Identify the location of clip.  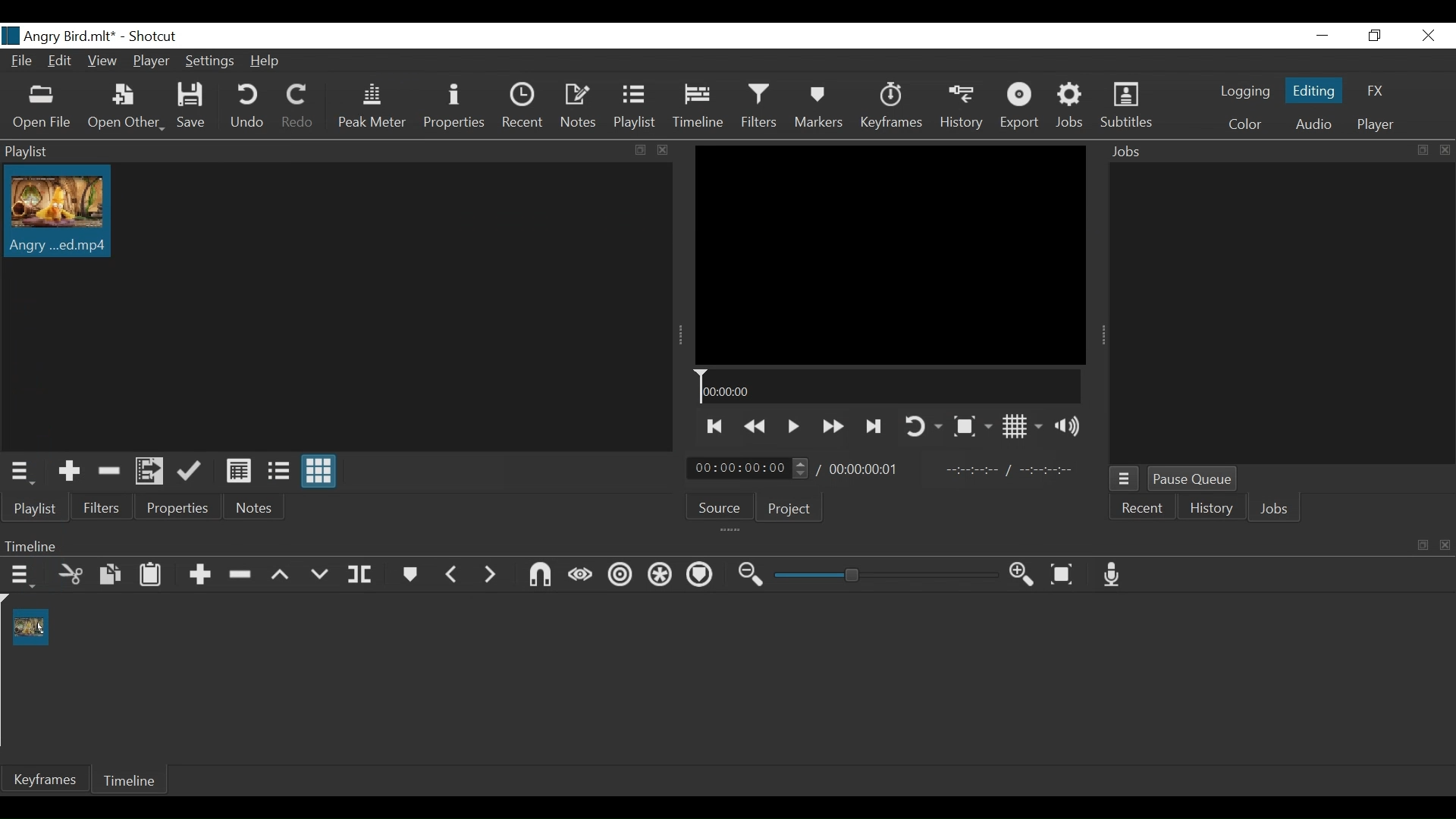
(30, 627).